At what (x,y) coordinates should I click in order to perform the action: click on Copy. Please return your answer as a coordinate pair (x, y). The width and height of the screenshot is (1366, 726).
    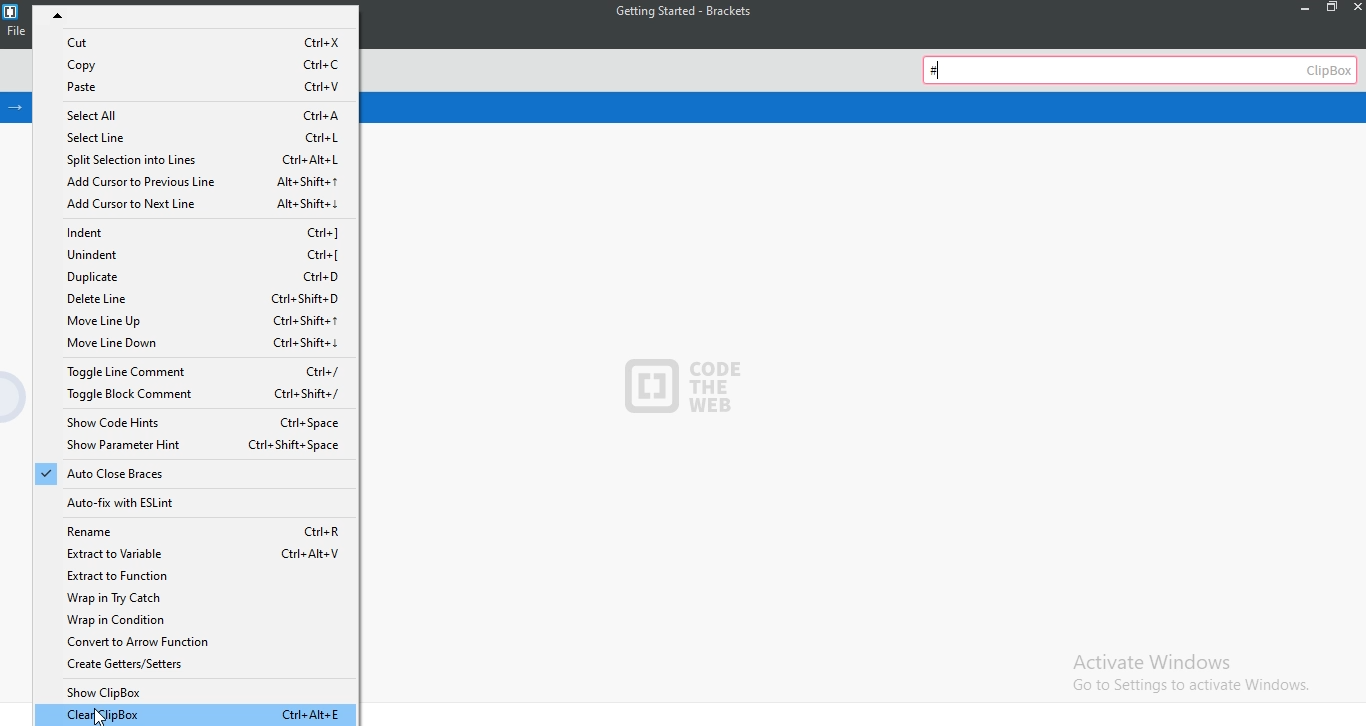
    Looking at the image, I should click on (203, 63).